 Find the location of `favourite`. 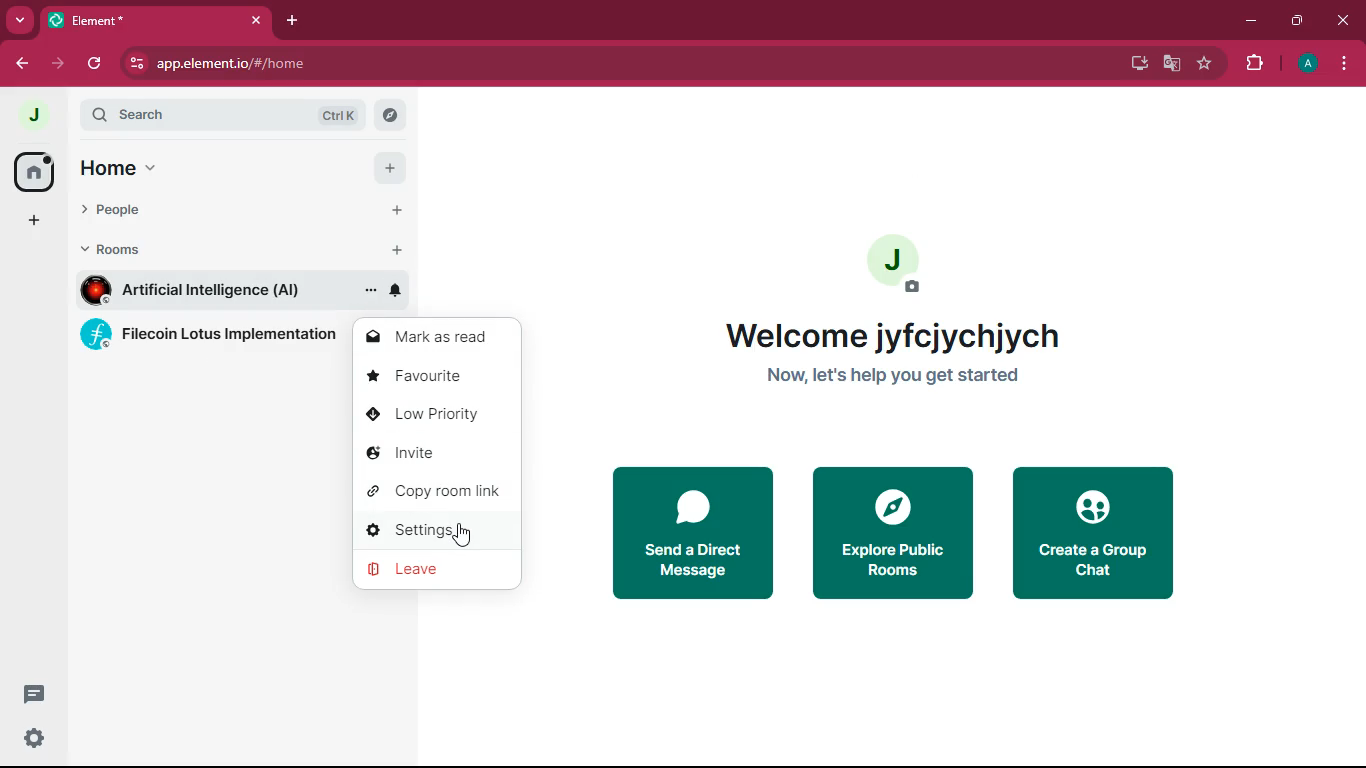

favourite is located at coordinates (428, 376).